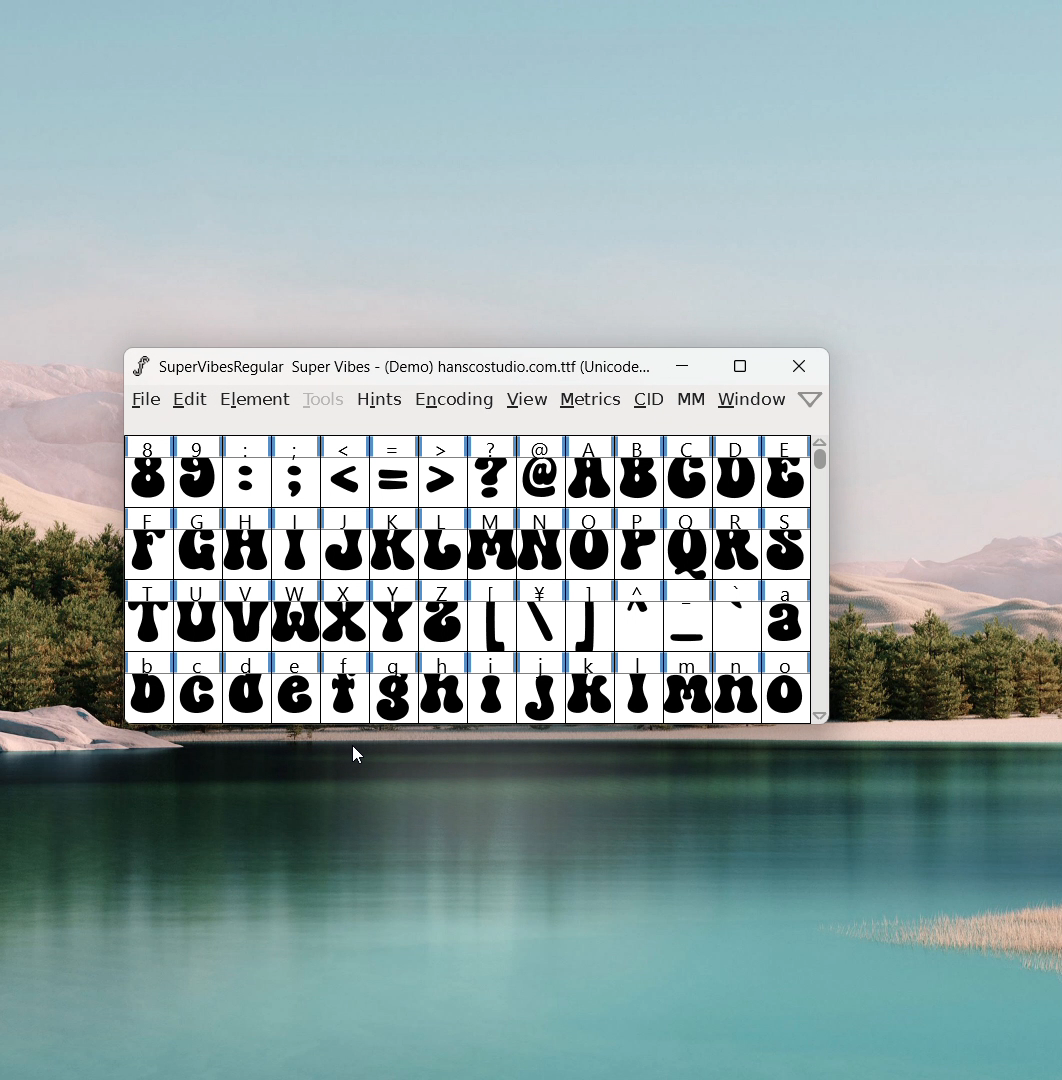  I want to click on edit, so click(189, 399).